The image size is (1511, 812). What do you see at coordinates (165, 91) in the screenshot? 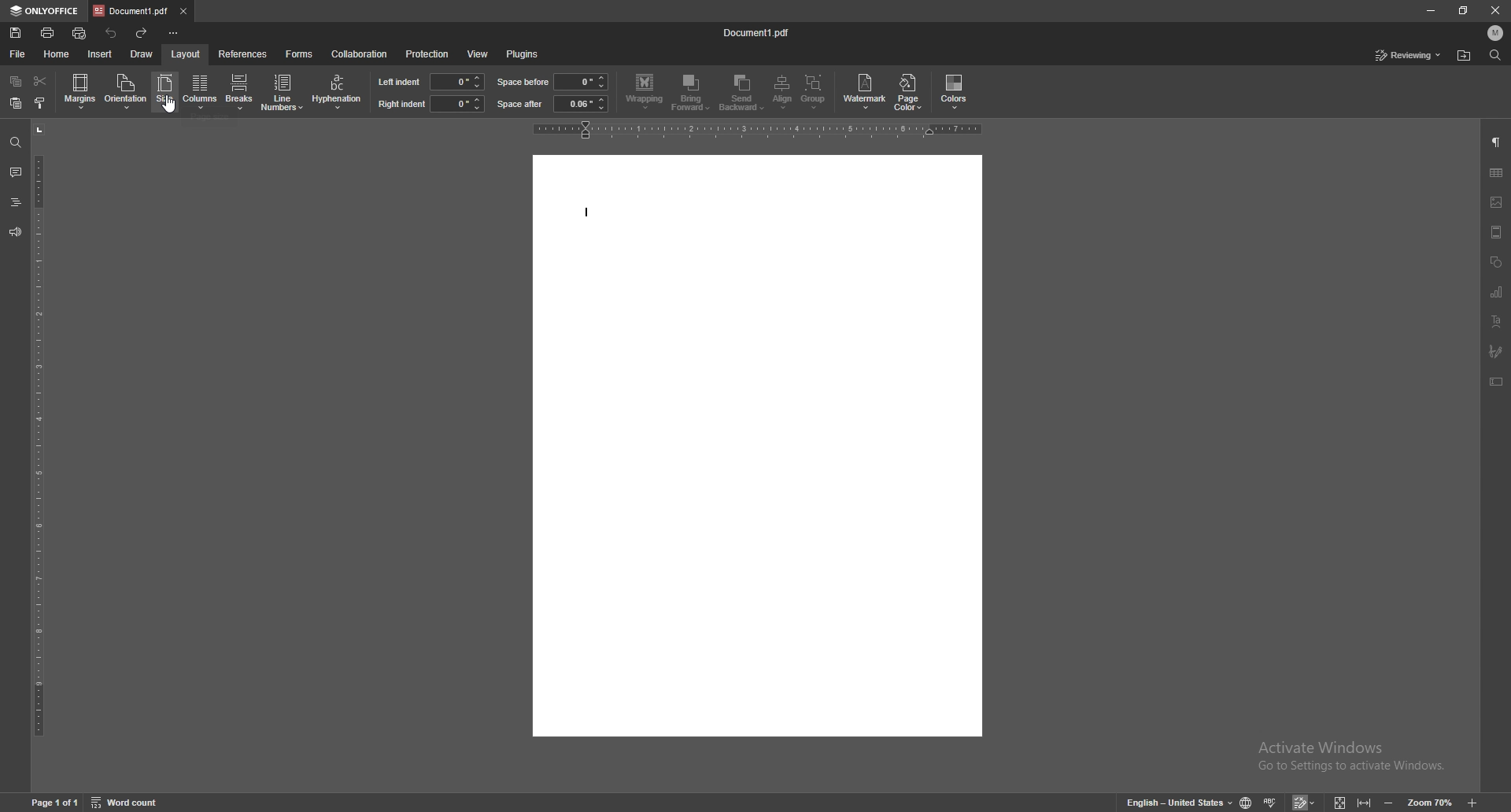
I see `size` at bounding box center [165, 91].